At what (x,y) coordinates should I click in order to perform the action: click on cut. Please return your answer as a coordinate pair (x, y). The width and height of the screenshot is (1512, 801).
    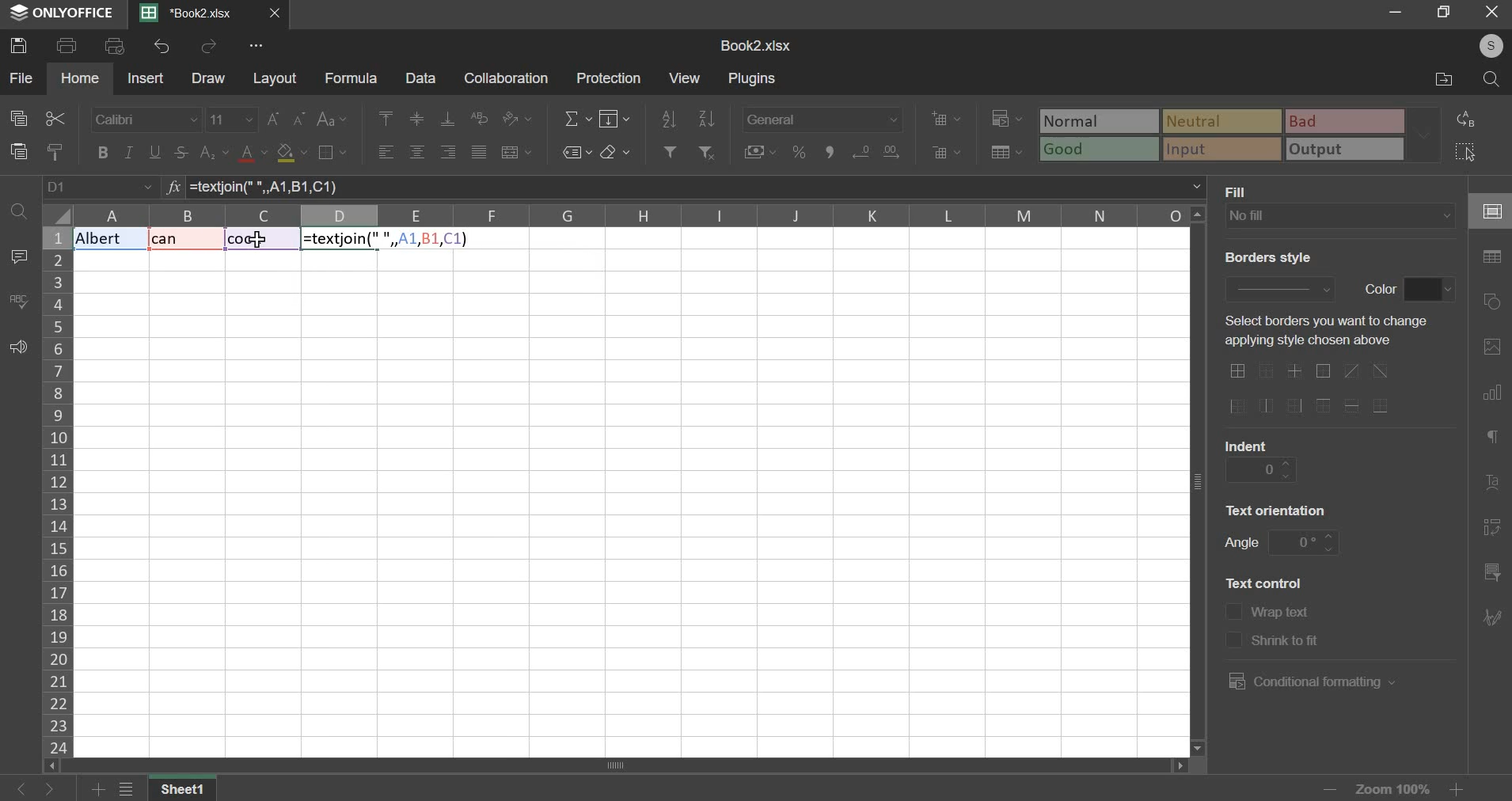
    Looking at the image, I should click on (54, 119).